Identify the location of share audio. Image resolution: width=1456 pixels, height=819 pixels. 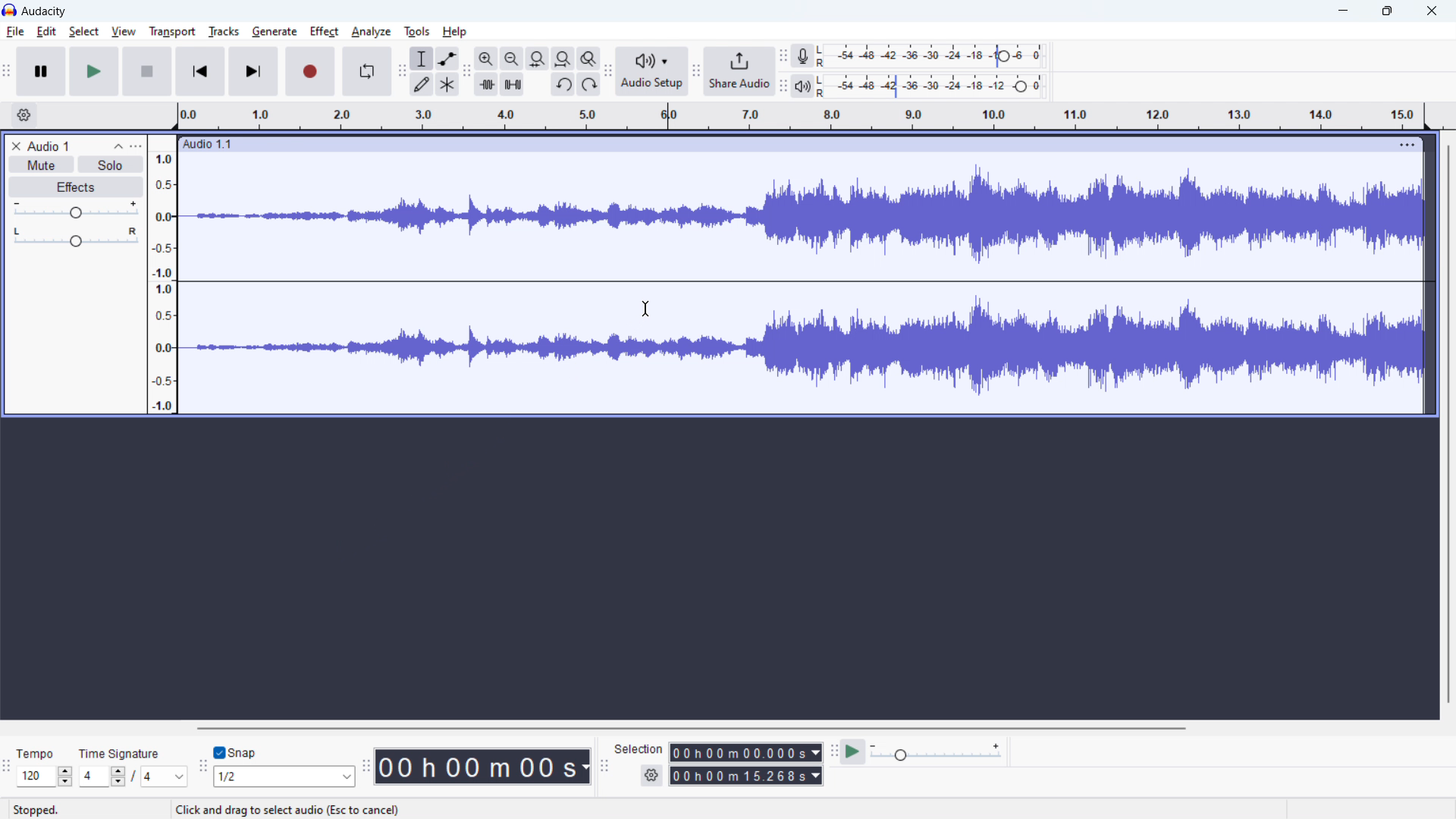
(739, 70).